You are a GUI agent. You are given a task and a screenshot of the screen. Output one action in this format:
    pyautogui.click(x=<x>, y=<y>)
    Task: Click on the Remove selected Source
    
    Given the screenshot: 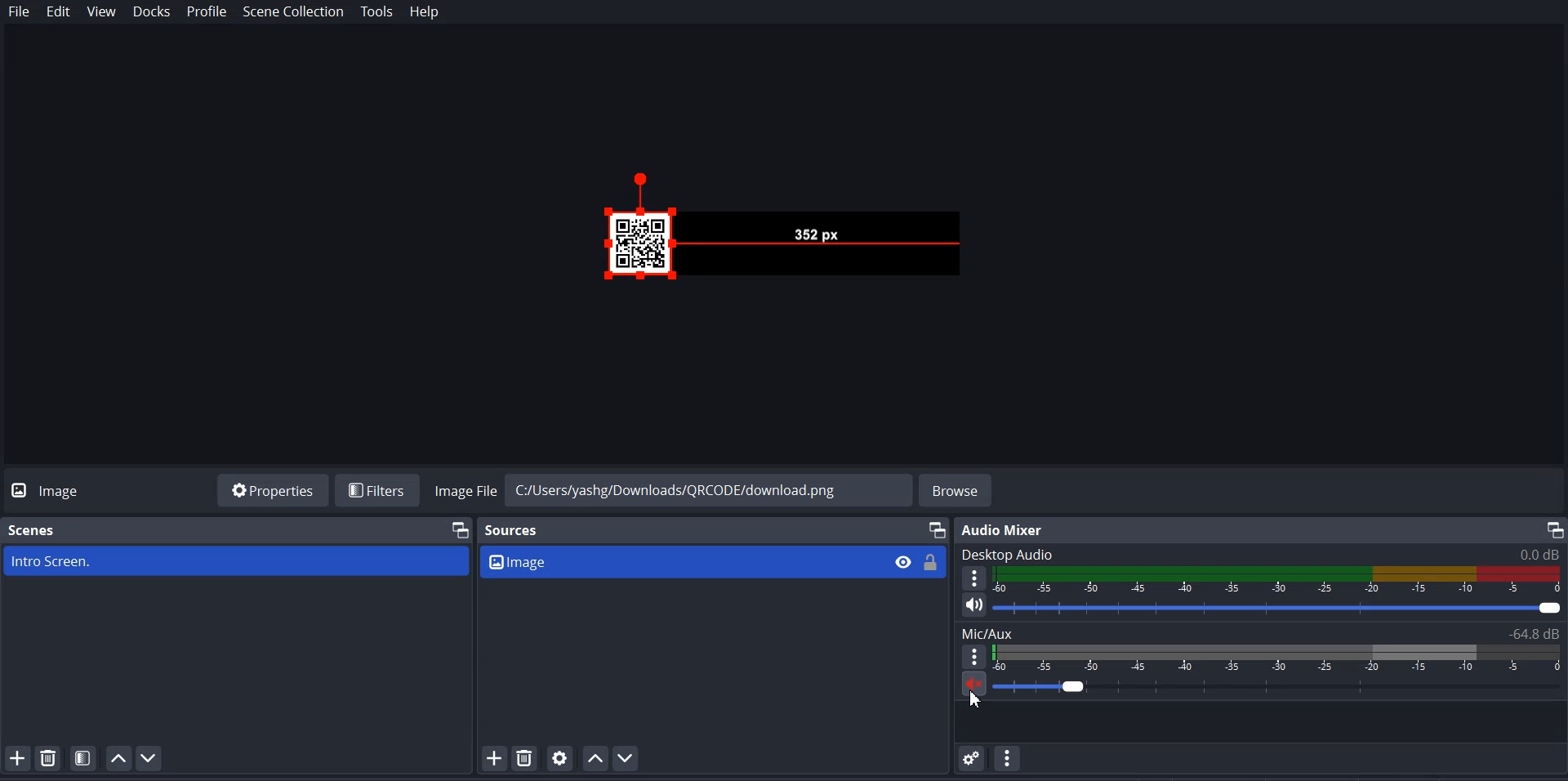 What is the action you would take?
    pyautogui.click(x=523, y=757)
    